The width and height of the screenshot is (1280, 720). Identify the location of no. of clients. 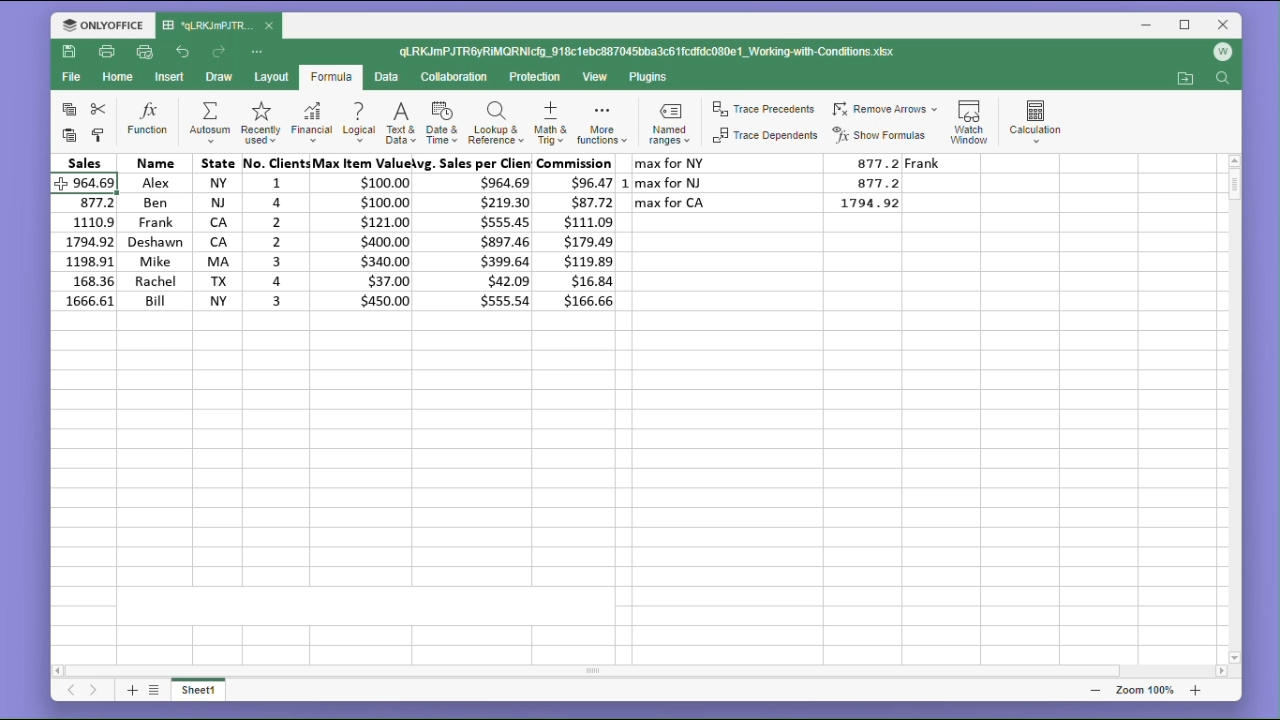
(275, 233).